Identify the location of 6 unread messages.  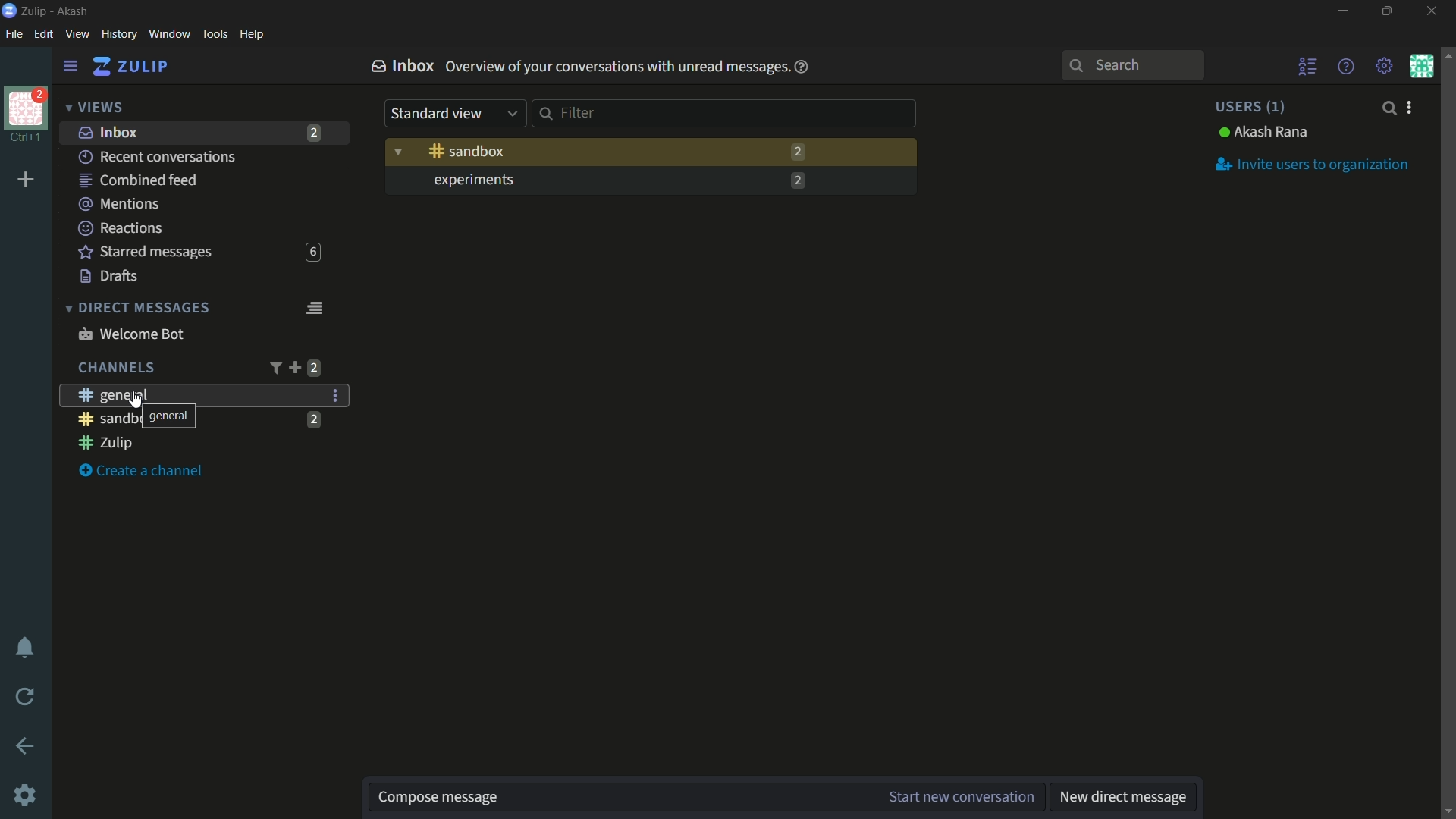
(312, 253).